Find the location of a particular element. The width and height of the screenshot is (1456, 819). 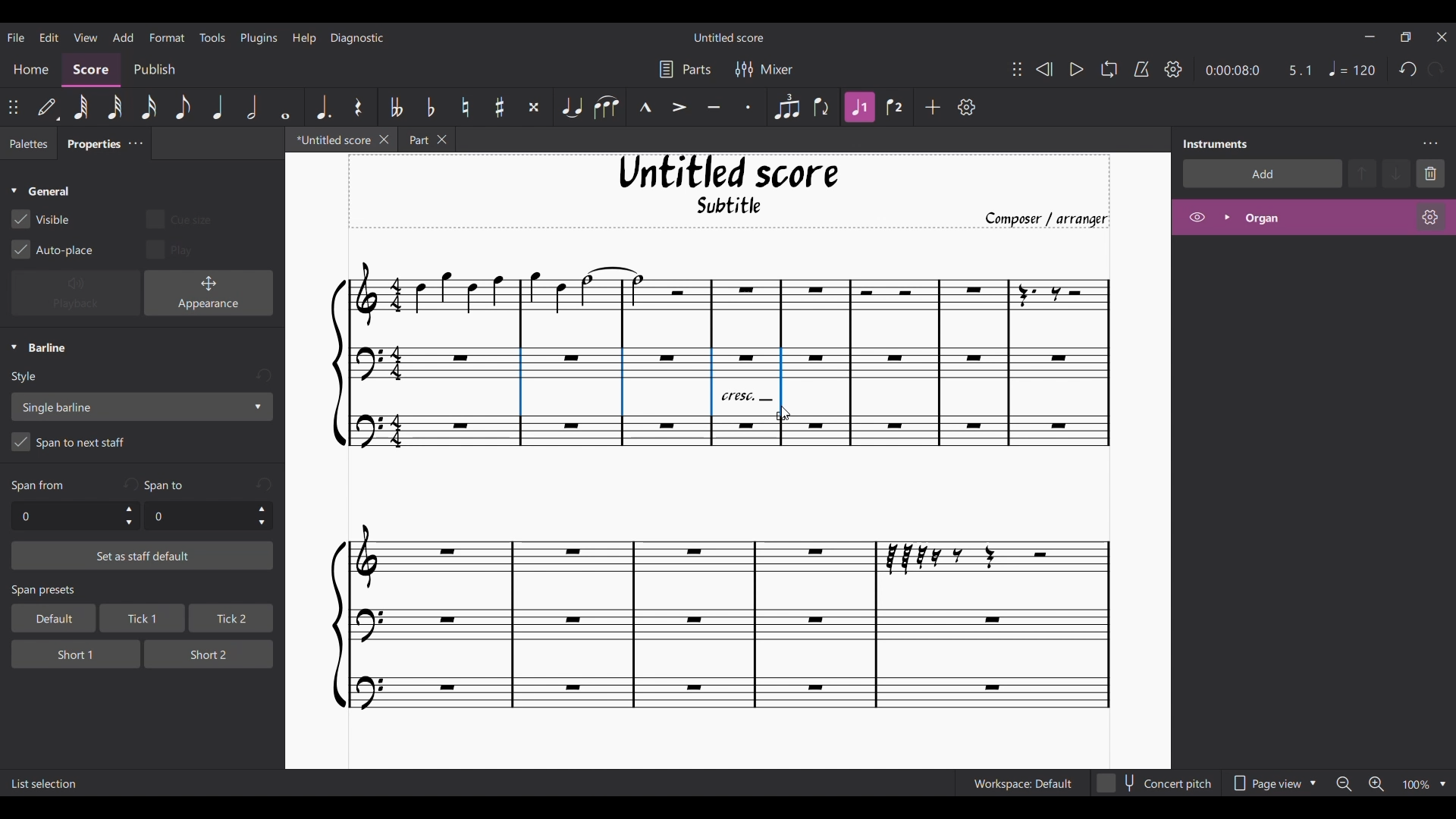

Tenuto is located at coordinates (714, 108).